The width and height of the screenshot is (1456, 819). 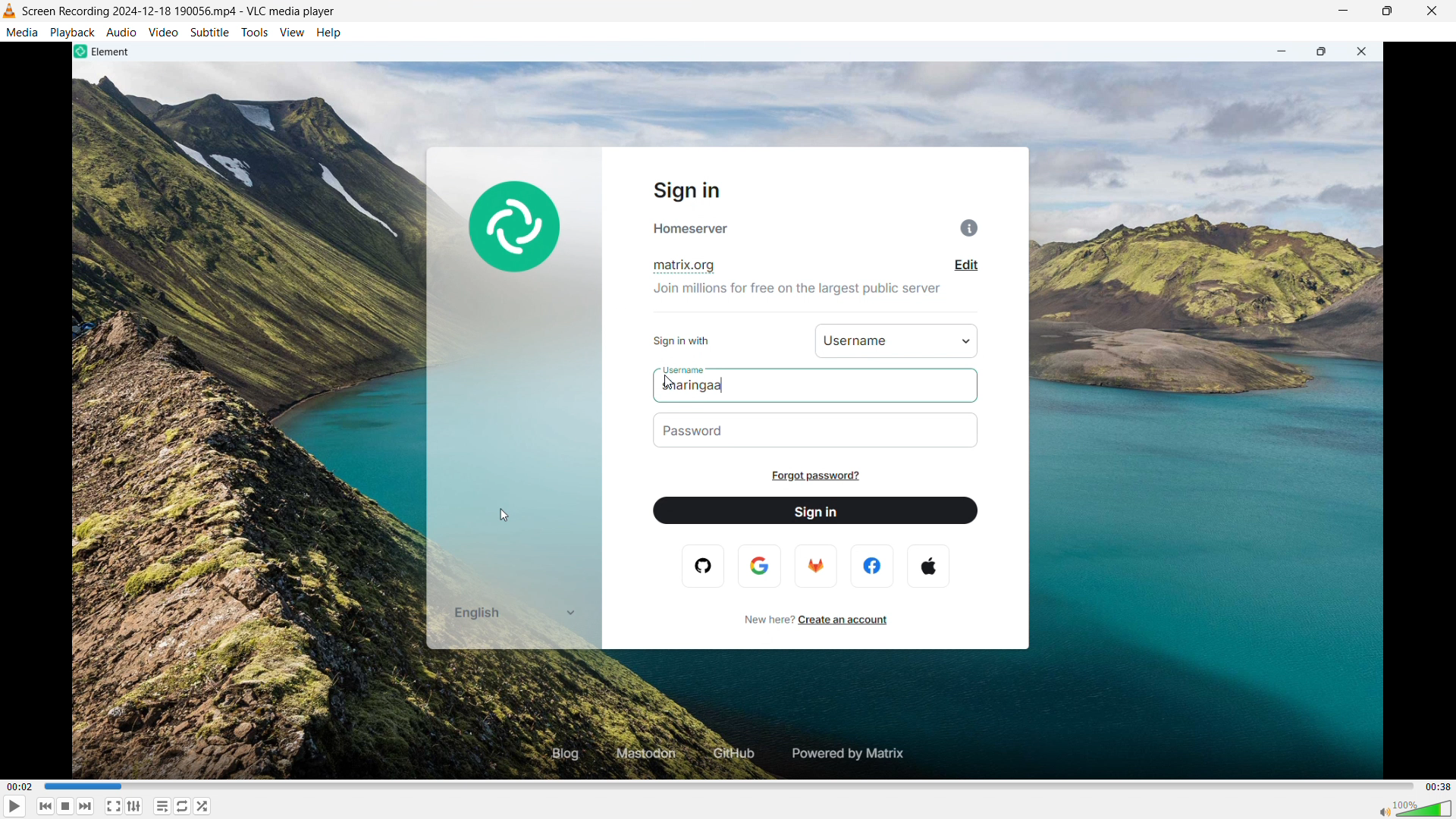 I want to click on stop playing, so click(x=65, y=806).